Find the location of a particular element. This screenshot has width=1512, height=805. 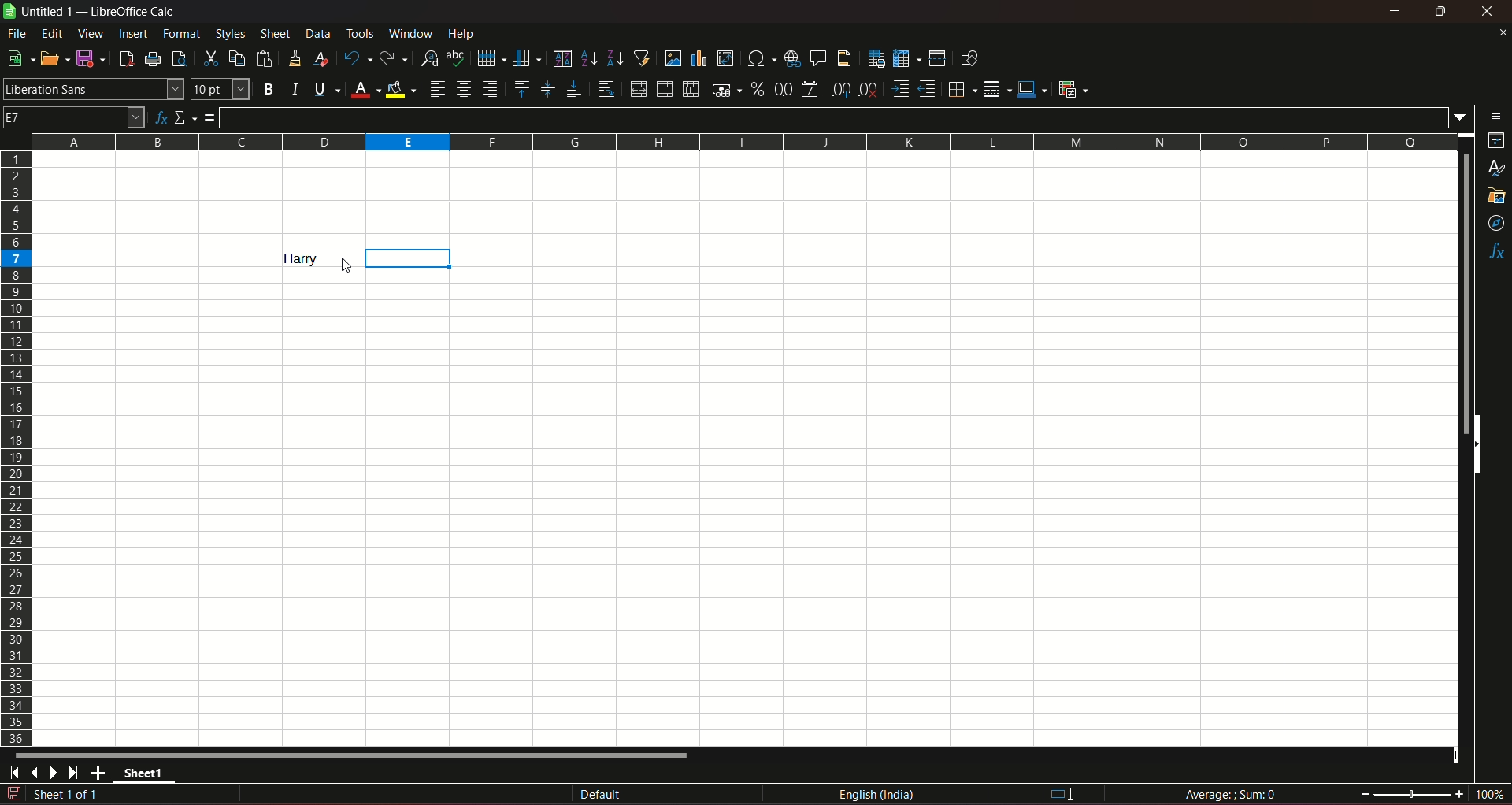

side scrollbars is located at coordinates (1477, 444).